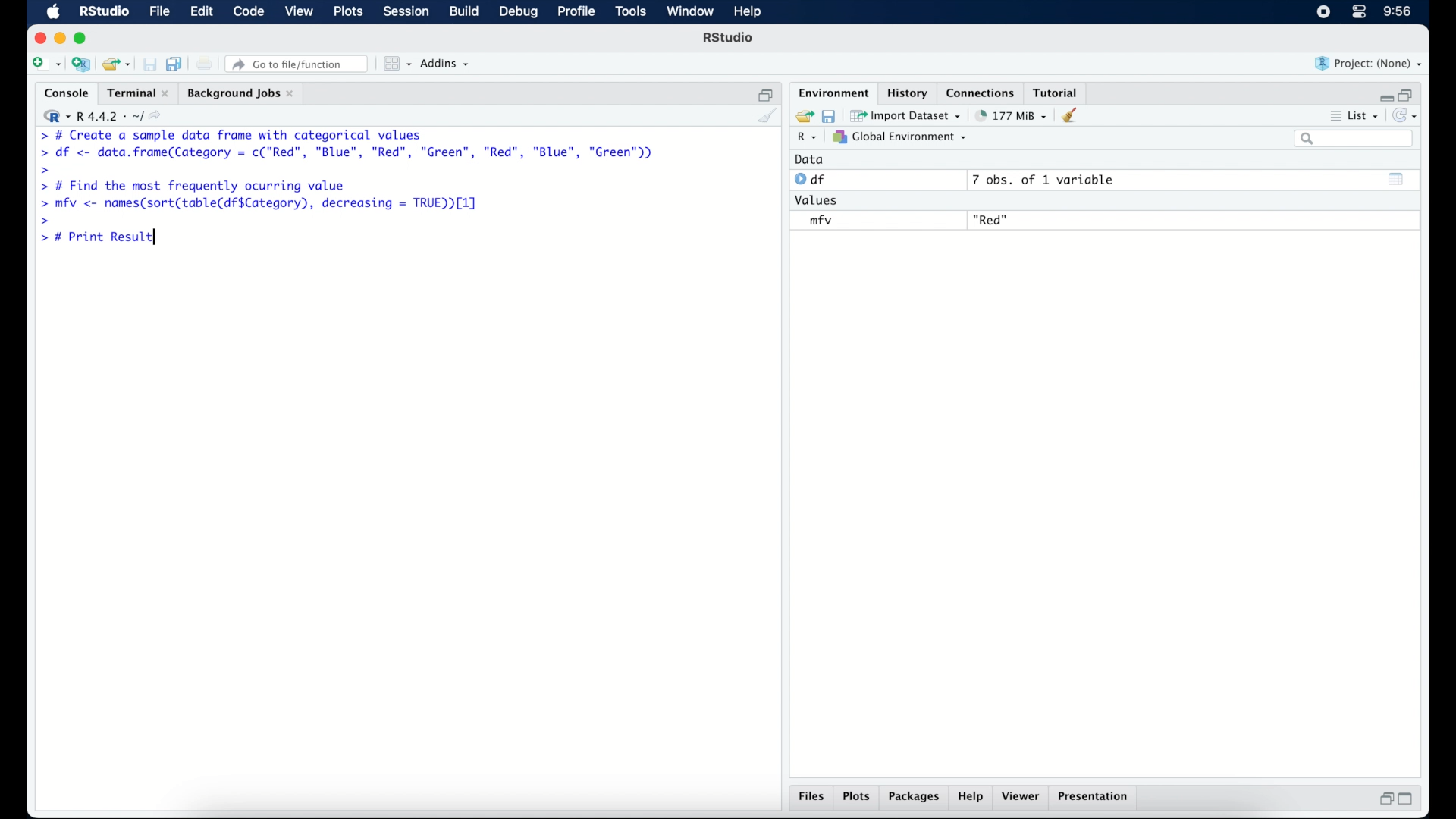 The height and width of the screenshot is (819, 1456). What do you see at coordinates (802, 114) in the screenshot?
I see `load workspace` at bounding box center [802, 114].